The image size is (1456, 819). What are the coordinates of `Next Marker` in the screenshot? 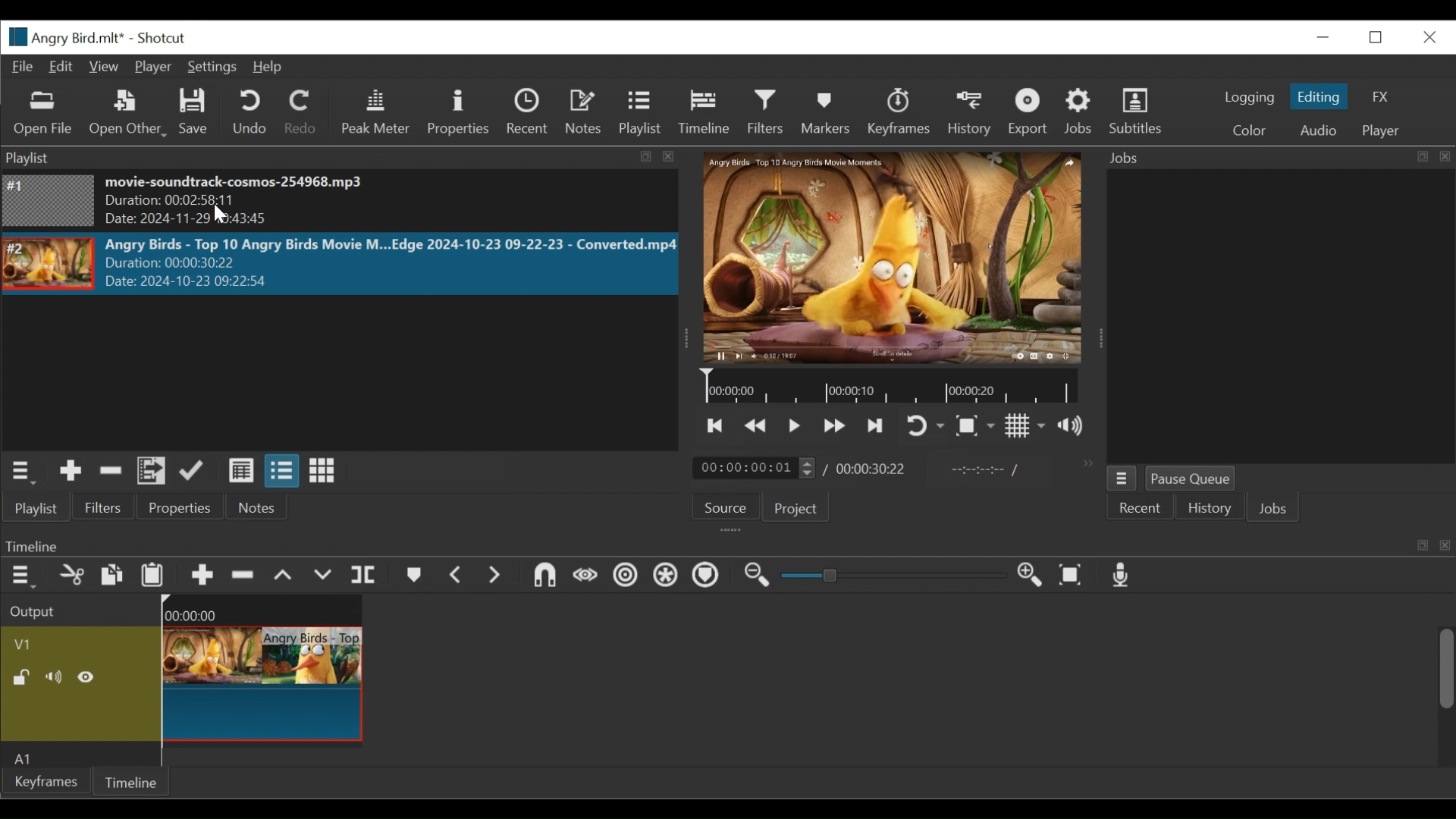 It's located at (492, 576).